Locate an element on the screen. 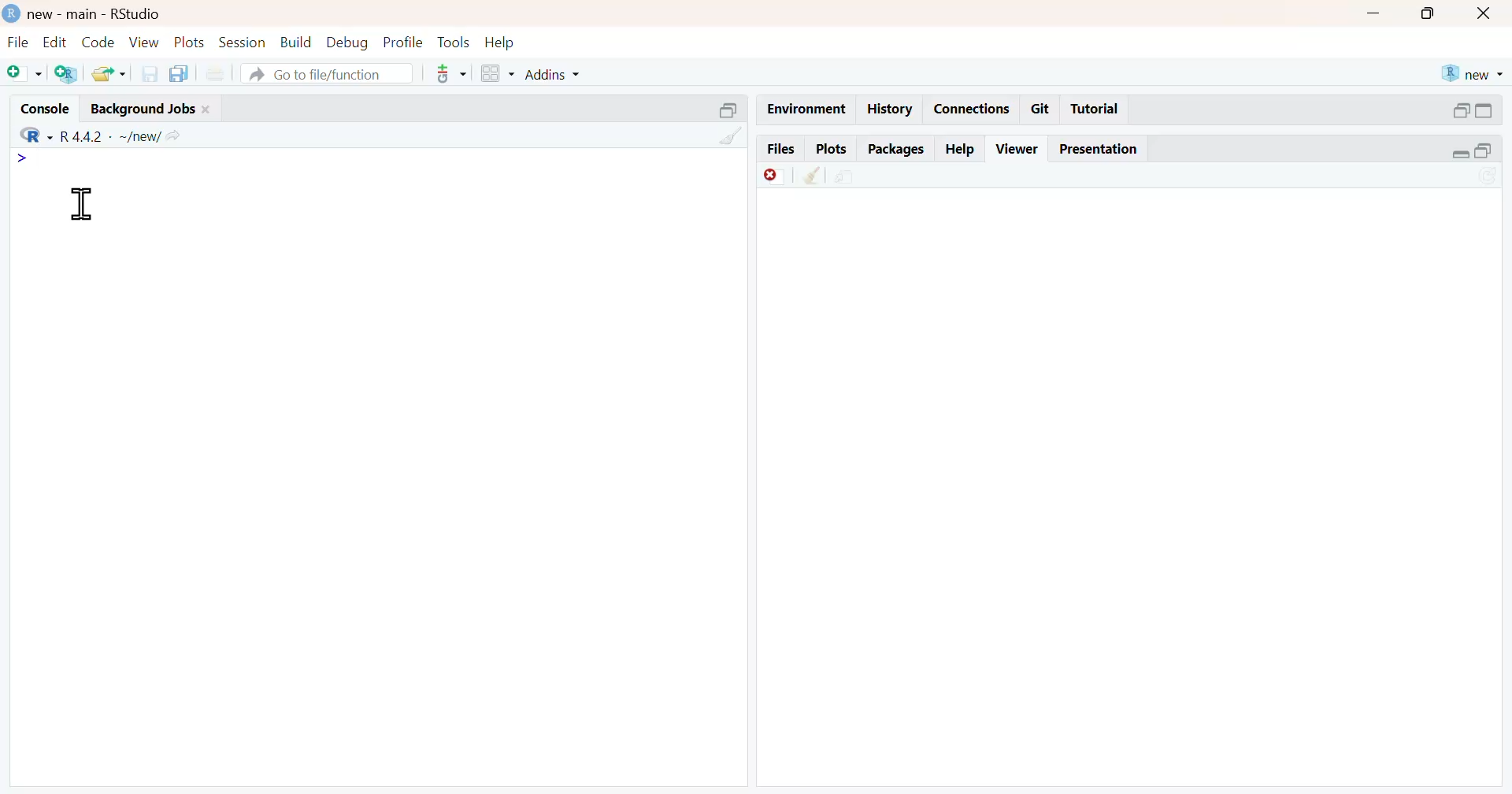 The height and width of the screenshot is (794, 1512). create a project is located at coordinates (69, 74).